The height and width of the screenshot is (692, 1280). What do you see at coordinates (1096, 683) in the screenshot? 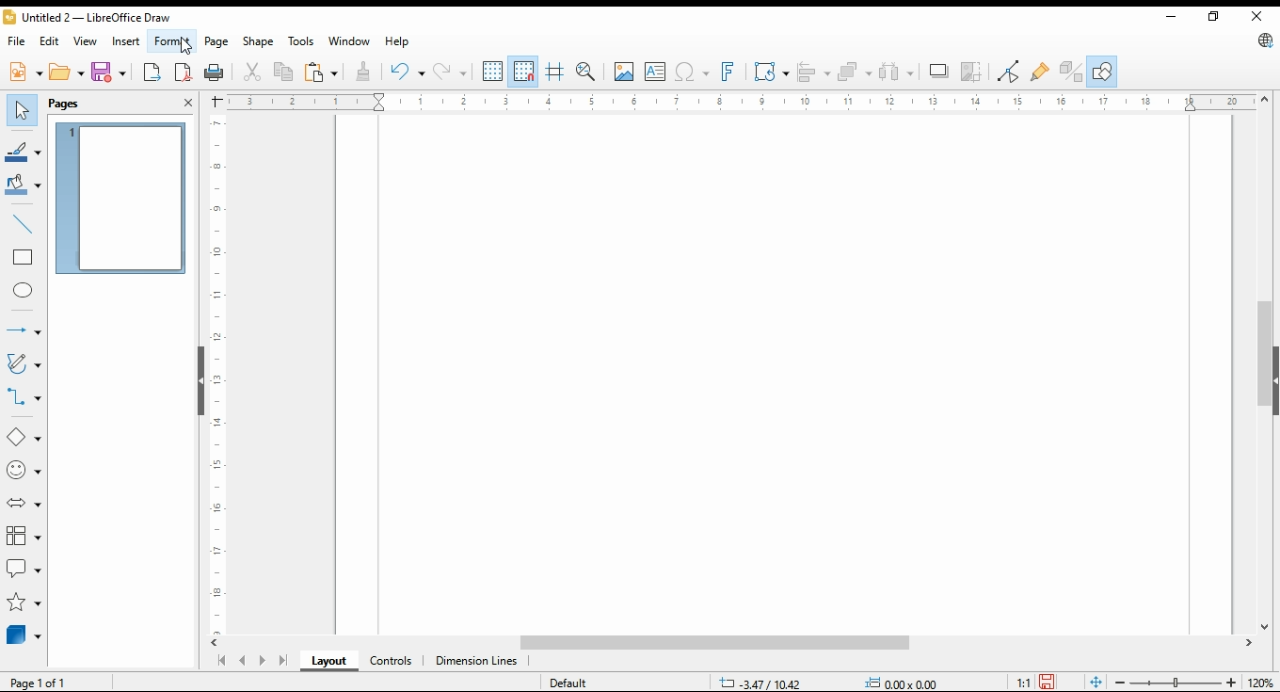
I see `fit page to window` at bounding box center [1096, 683].